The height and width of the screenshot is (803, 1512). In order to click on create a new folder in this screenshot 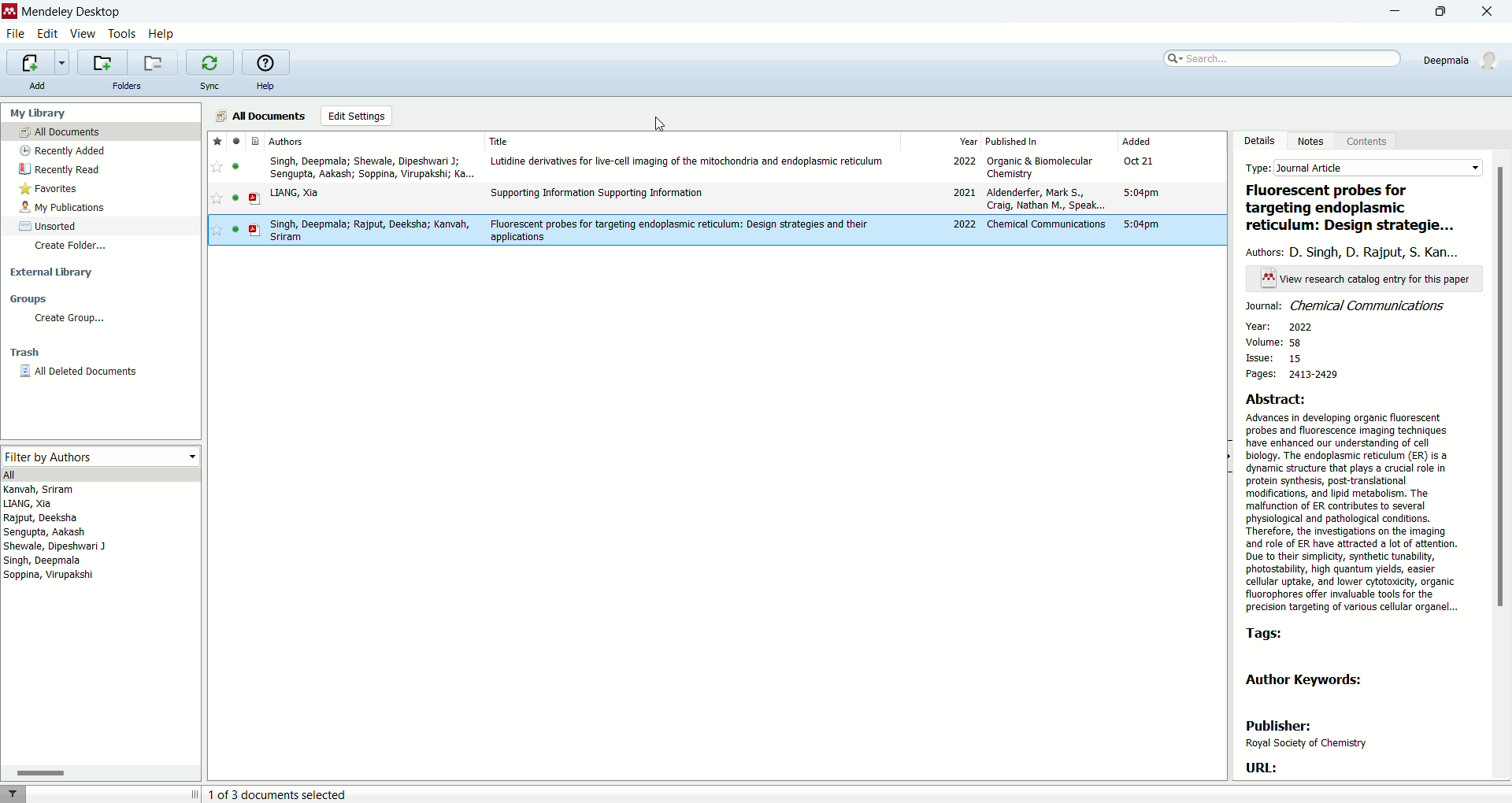, I will do `click(104, 62)`.